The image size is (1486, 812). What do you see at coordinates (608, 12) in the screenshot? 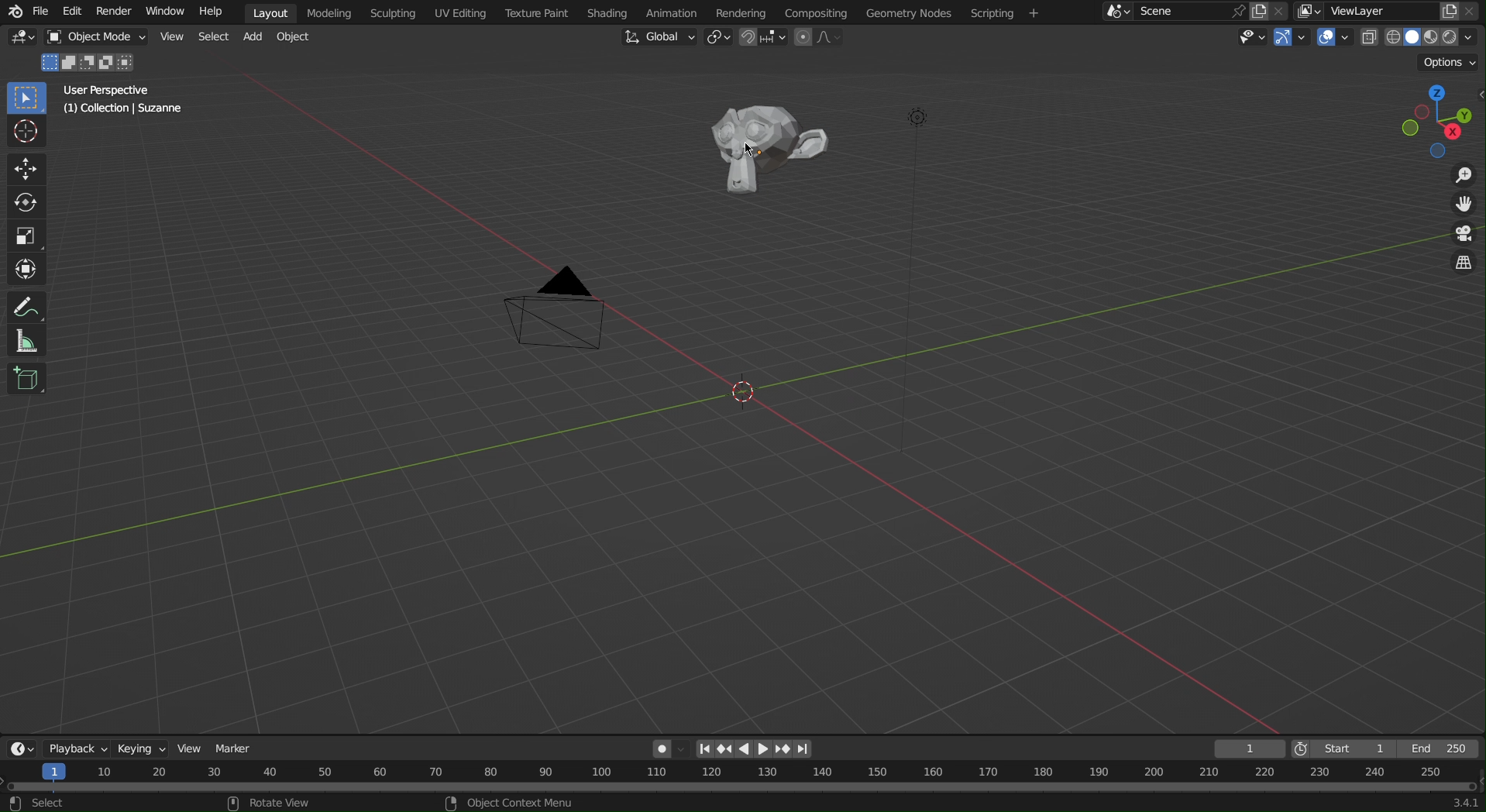
I see `Shading` at bounding box center [608, 12].